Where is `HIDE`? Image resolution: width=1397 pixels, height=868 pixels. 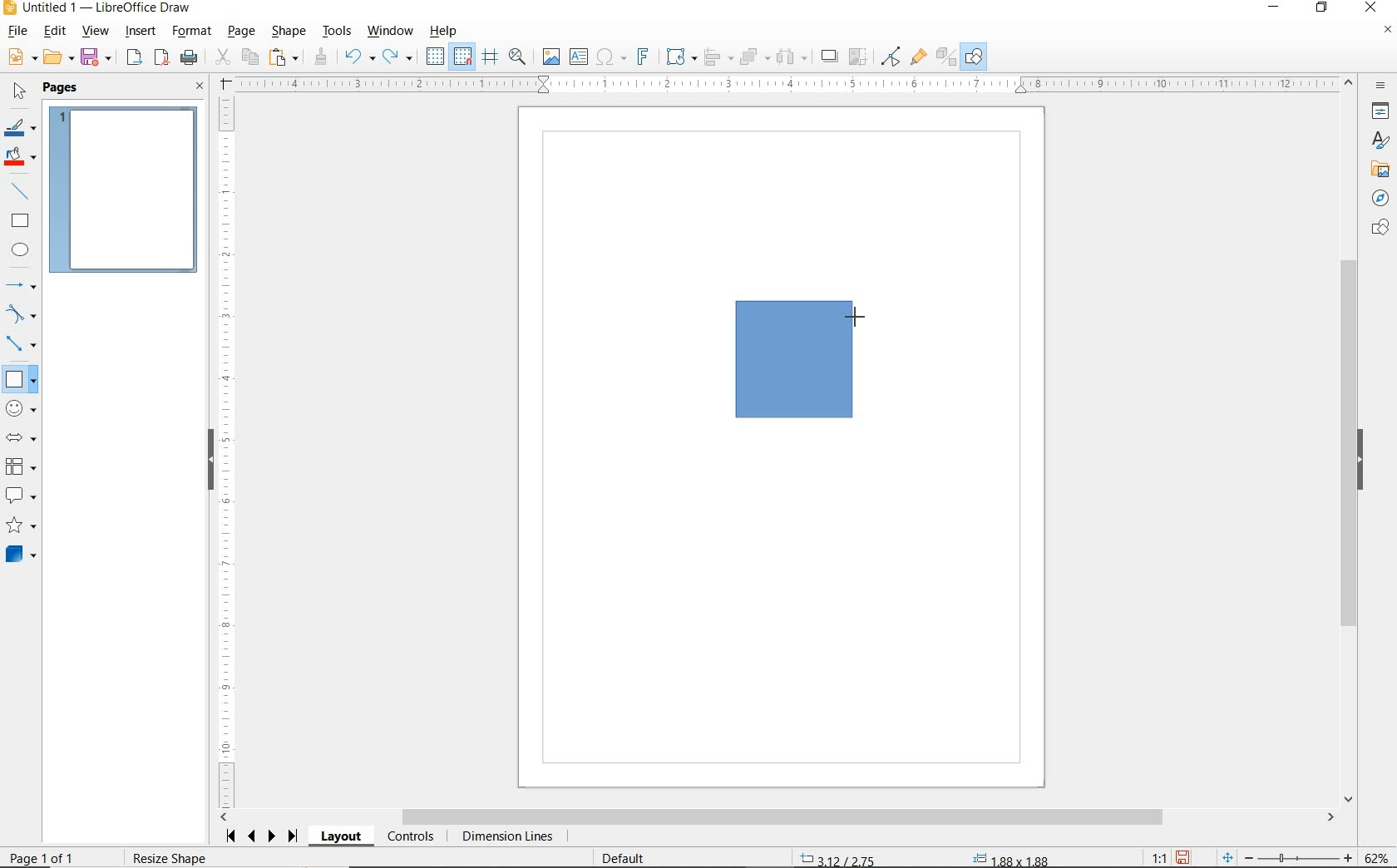 HIDE is located at coordinates (210, 461).